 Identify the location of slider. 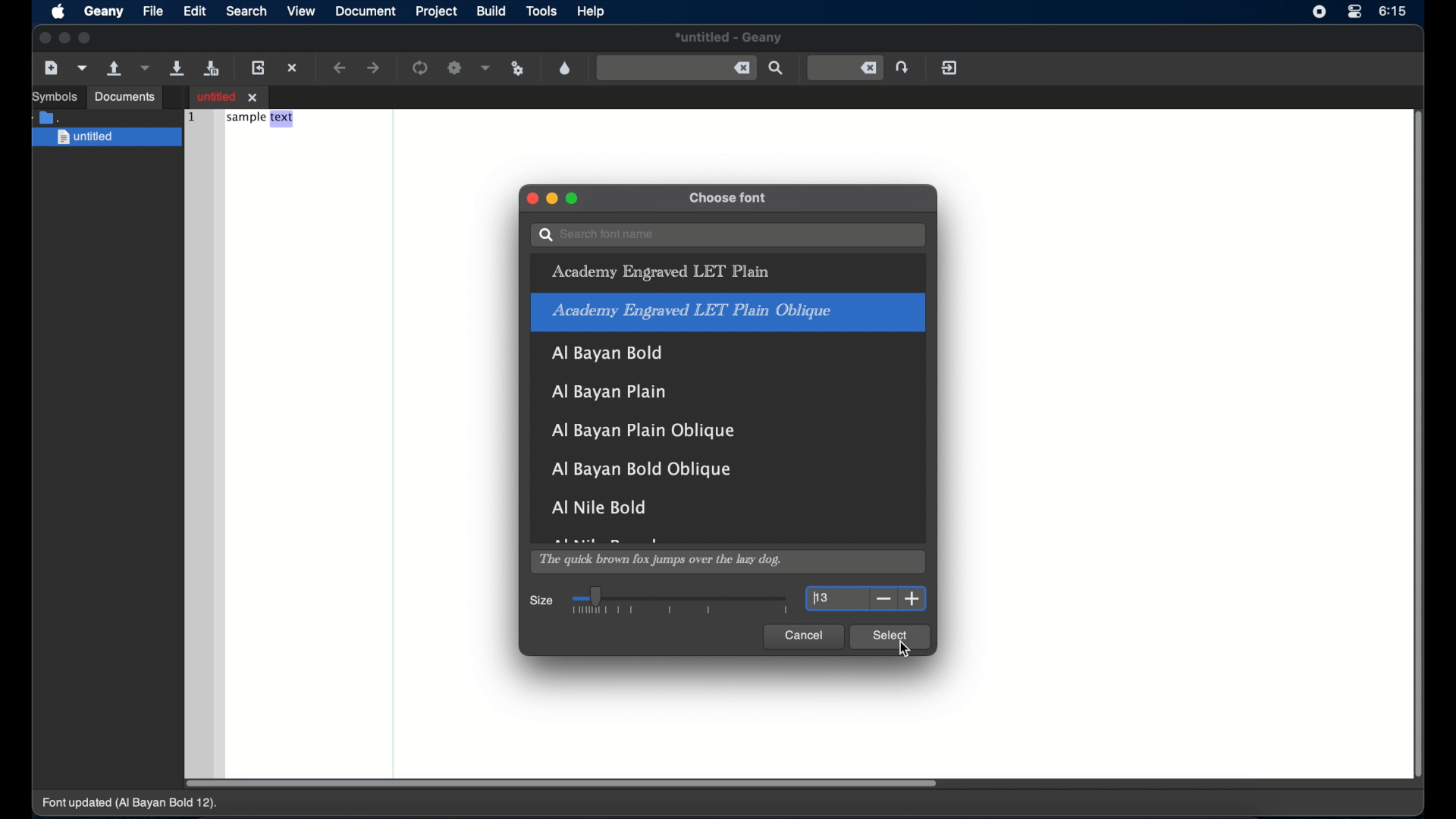
(680, 601).